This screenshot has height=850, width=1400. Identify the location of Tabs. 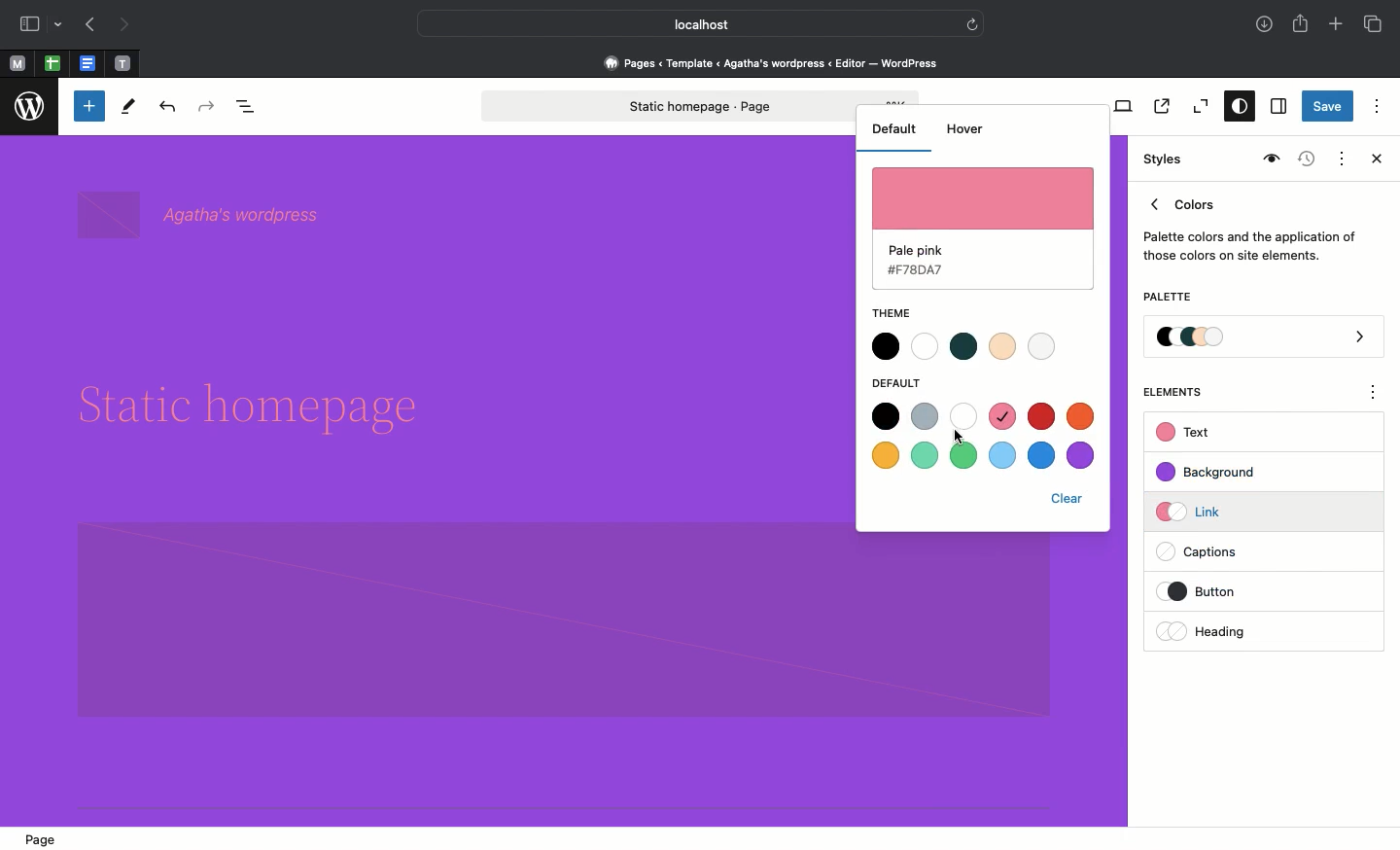
(1375, 24).